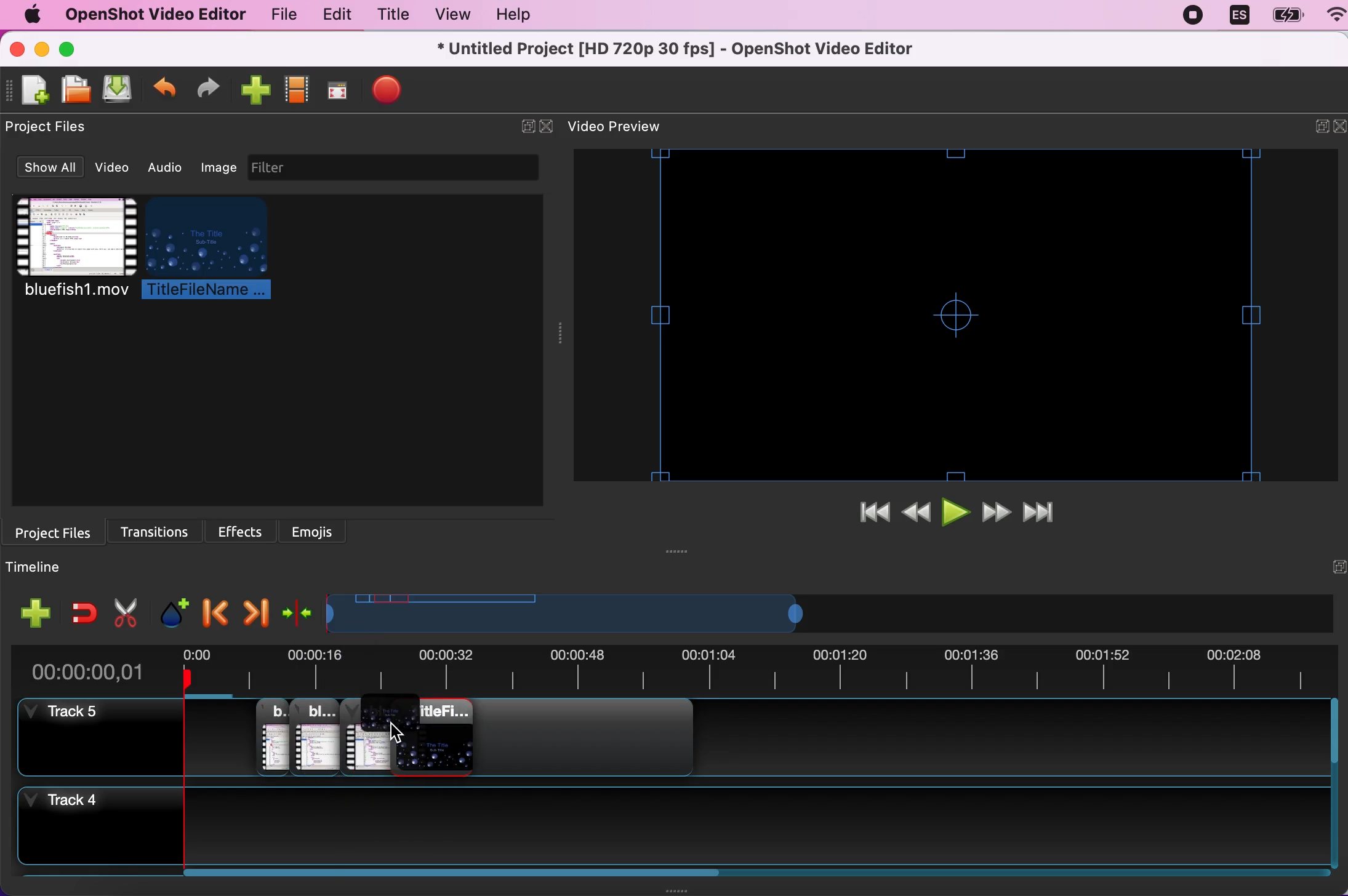 This screenshot has width=1348, height=896. Describe the element at coordinates (89, 668) in the screenshot. I see `00:00:00,01` at that location.